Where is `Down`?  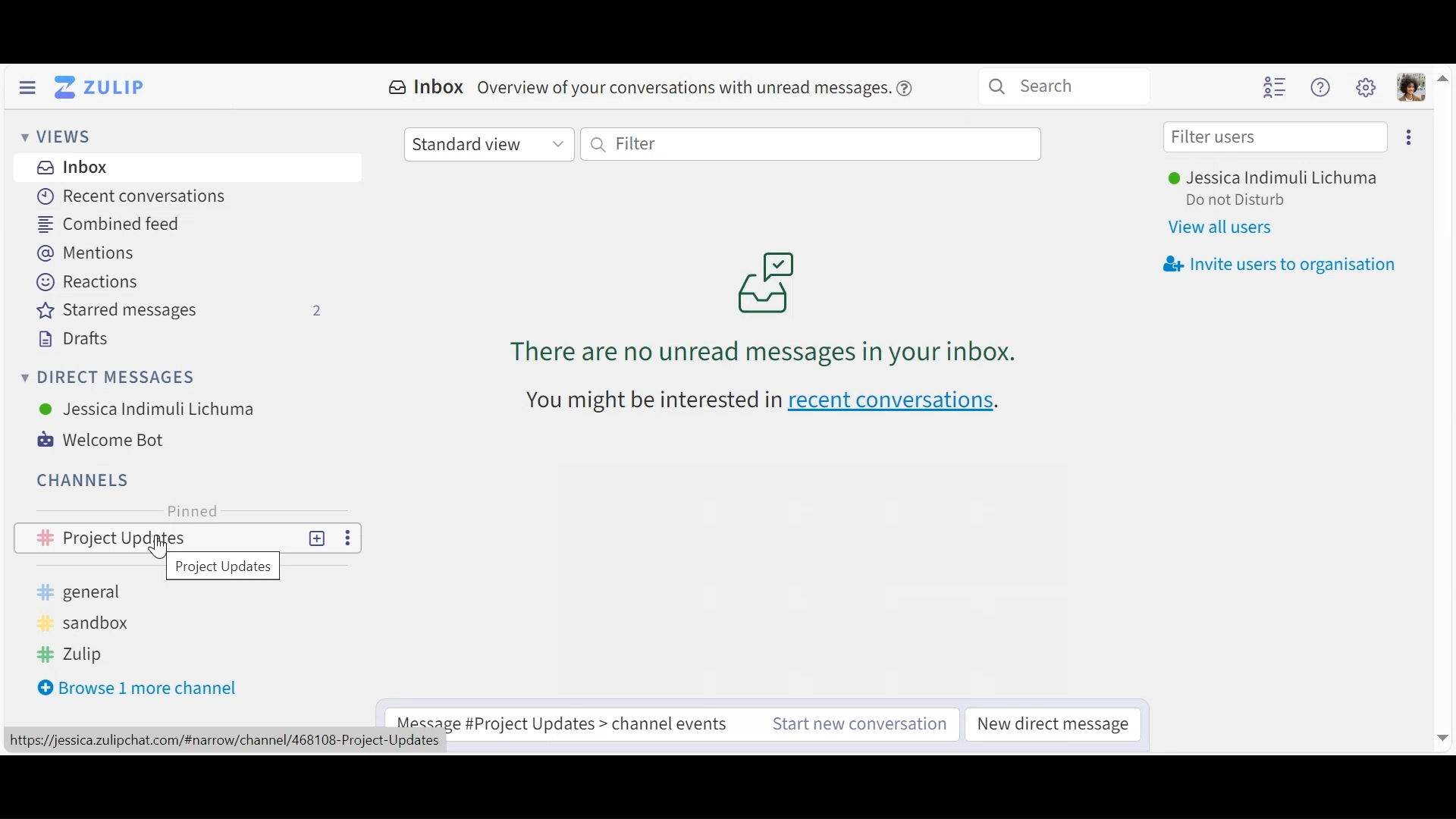 Down is located at coordinates (1439, 739).